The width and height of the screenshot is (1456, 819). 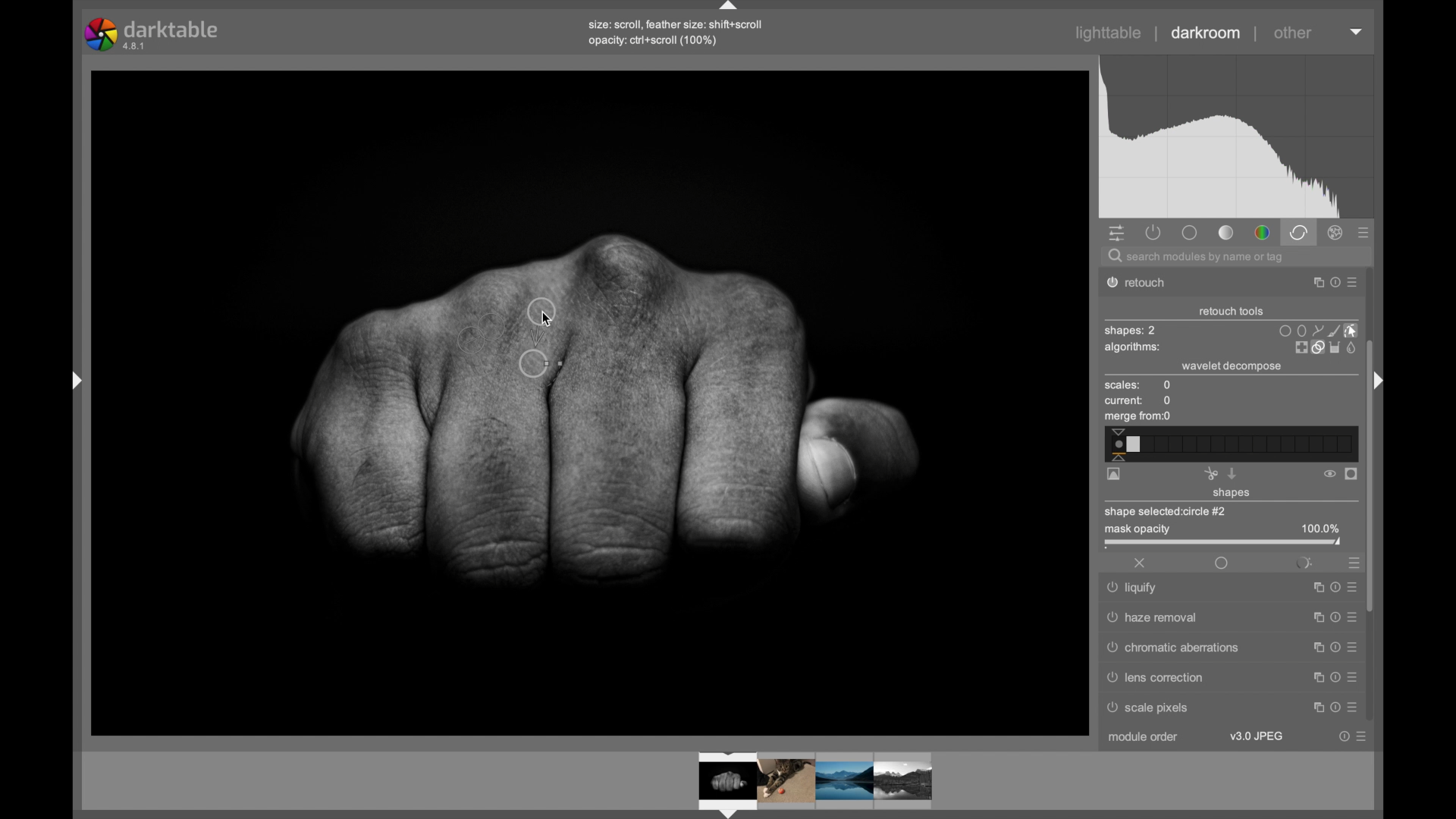 What do you see at coordinates (1317, 708) in the screenshot?
I see `maximize` at bounding box center [1317, 708].